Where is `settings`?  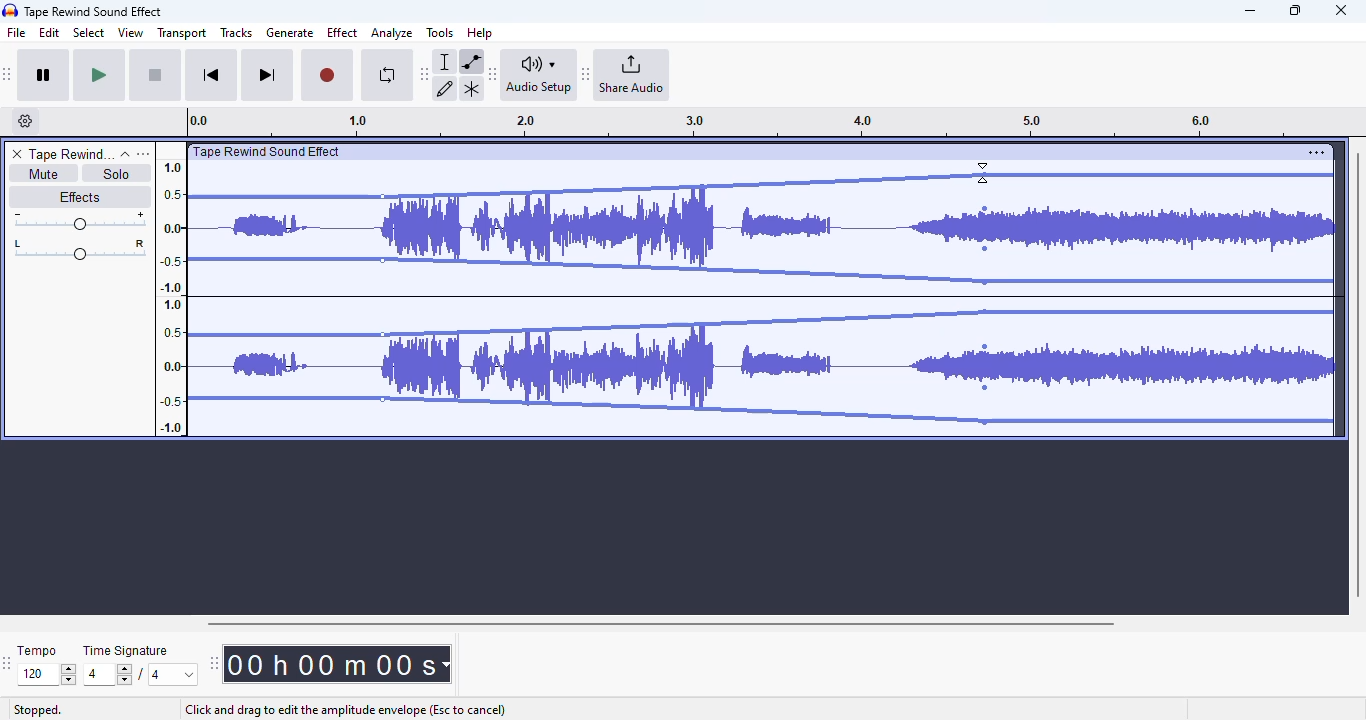
settings is located at coordinates (1316, 152).